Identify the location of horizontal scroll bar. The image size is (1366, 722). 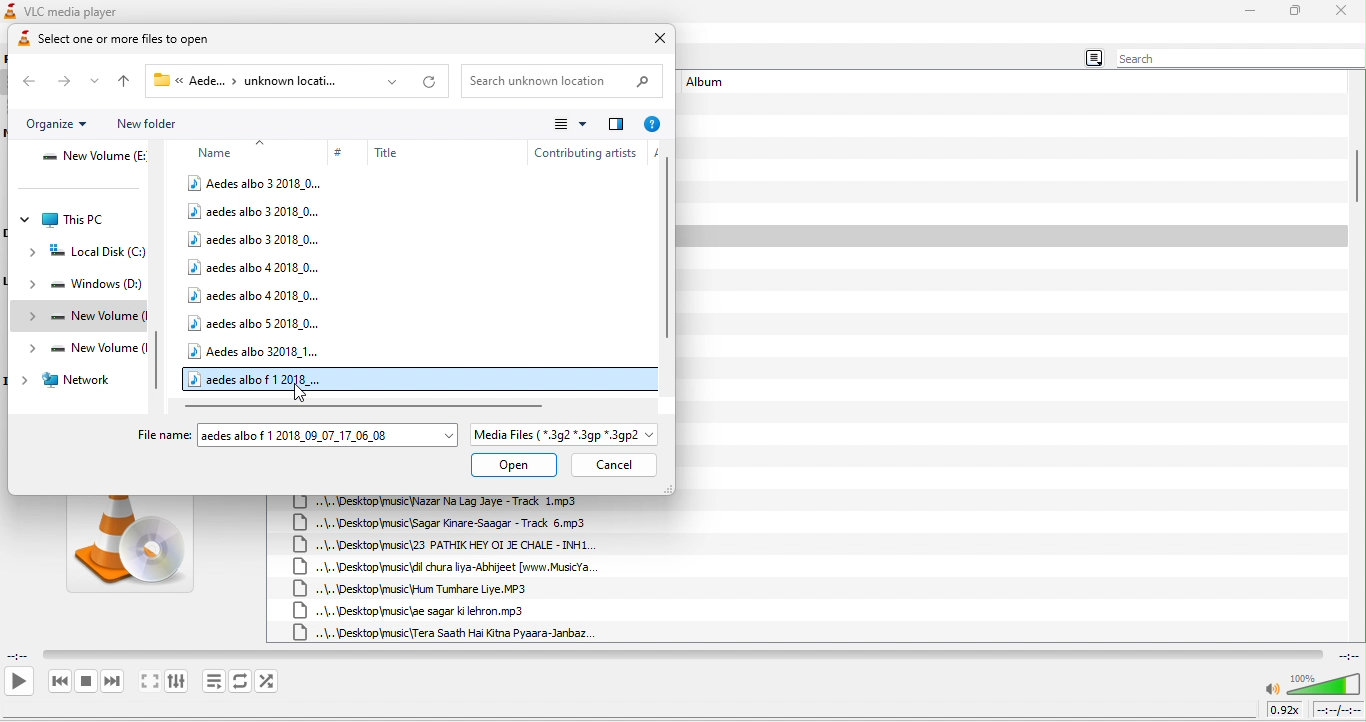
(367, 405).